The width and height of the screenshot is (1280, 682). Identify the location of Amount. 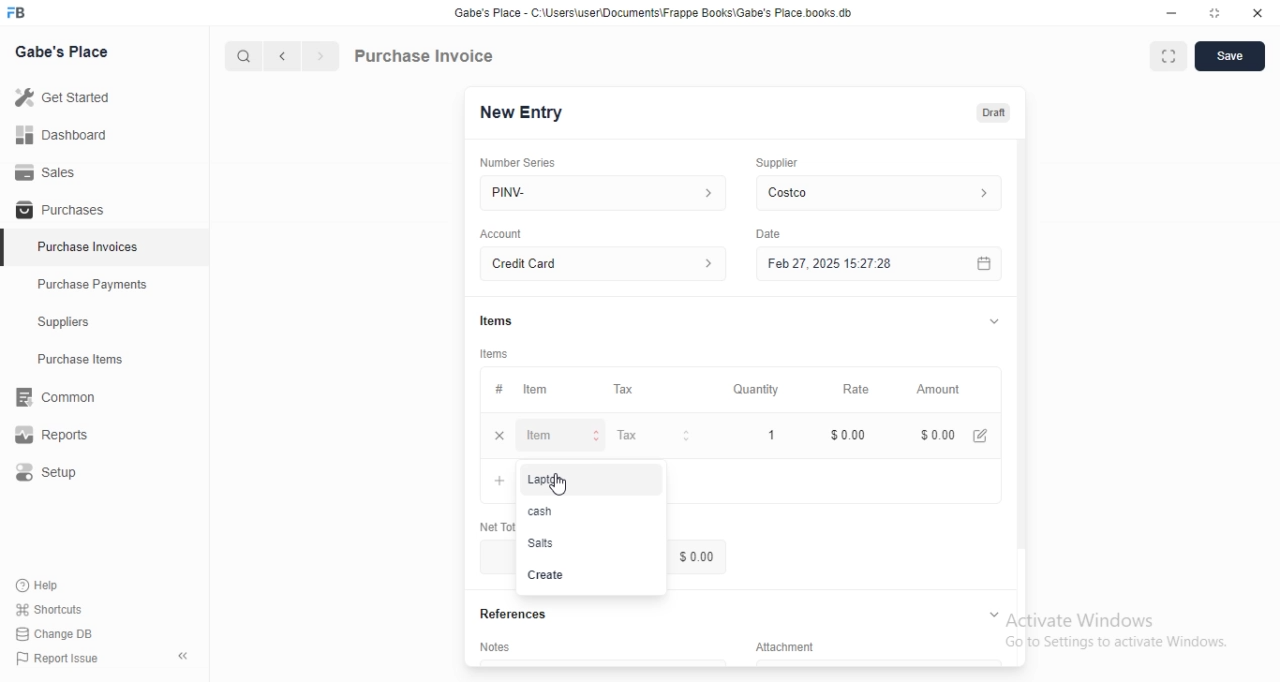
(943, 390).